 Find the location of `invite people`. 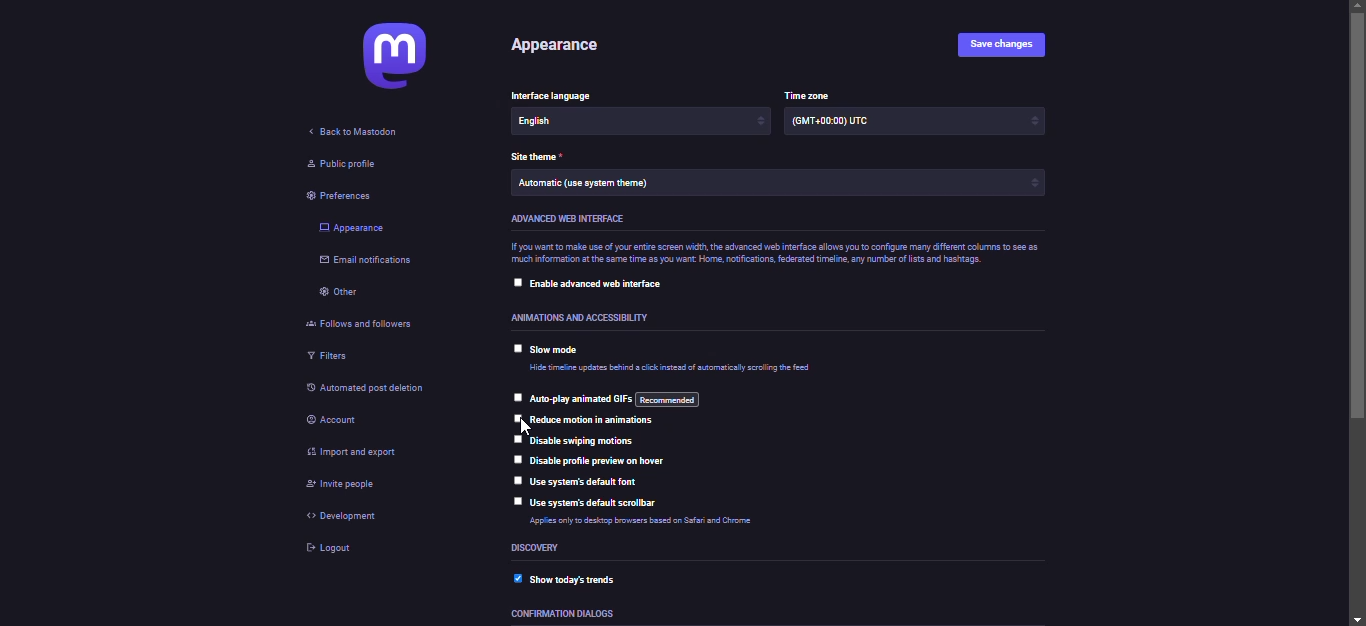

invite people is located at coordinates (336, 487).